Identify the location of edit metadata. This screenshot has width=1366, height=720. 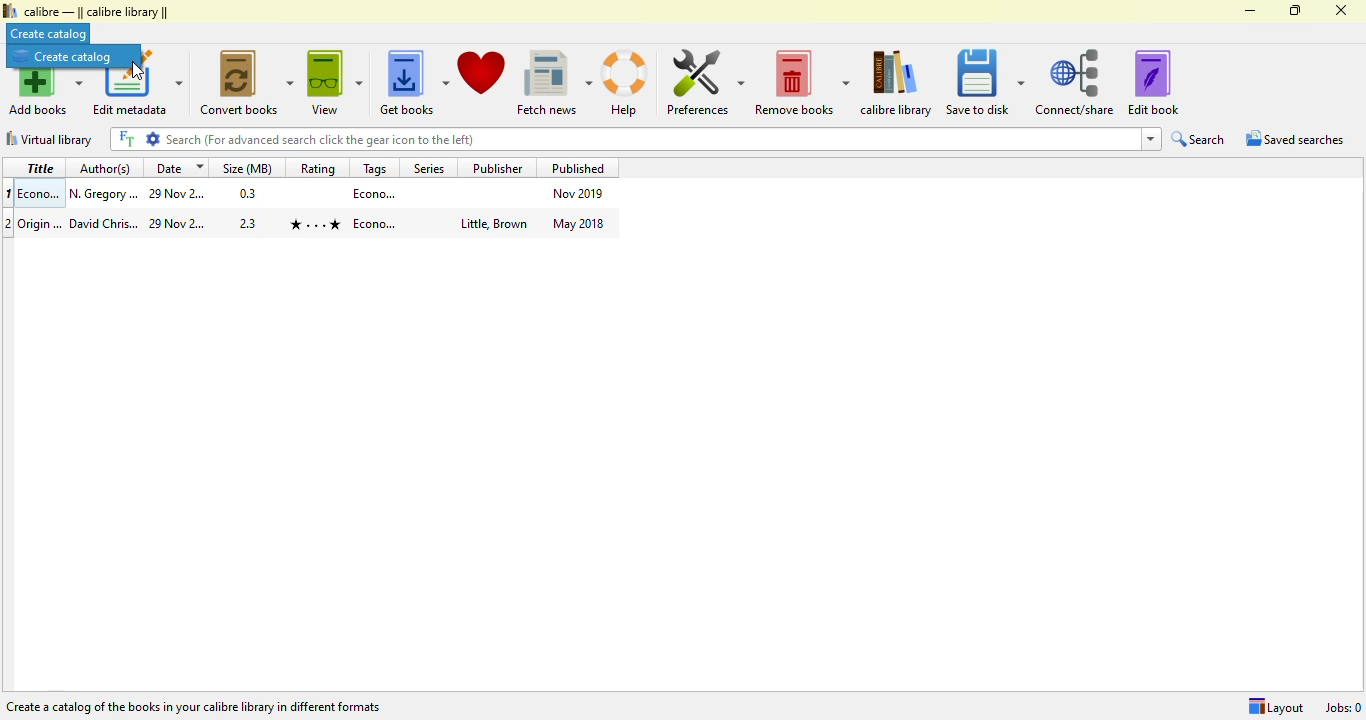
(137, 95).